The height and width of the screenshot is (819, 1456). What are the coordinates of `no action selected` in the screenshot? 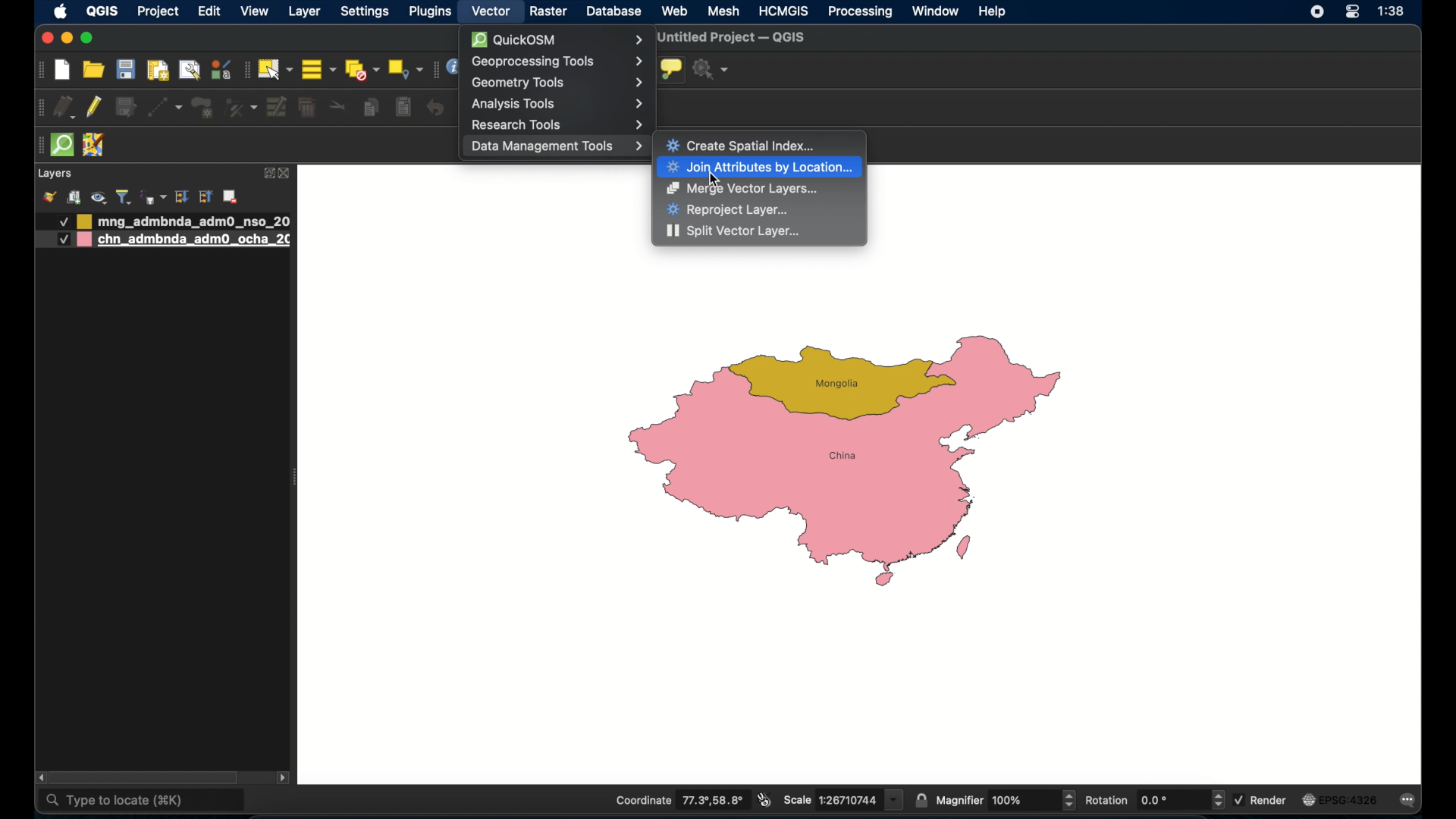 It's located at (714, 71).